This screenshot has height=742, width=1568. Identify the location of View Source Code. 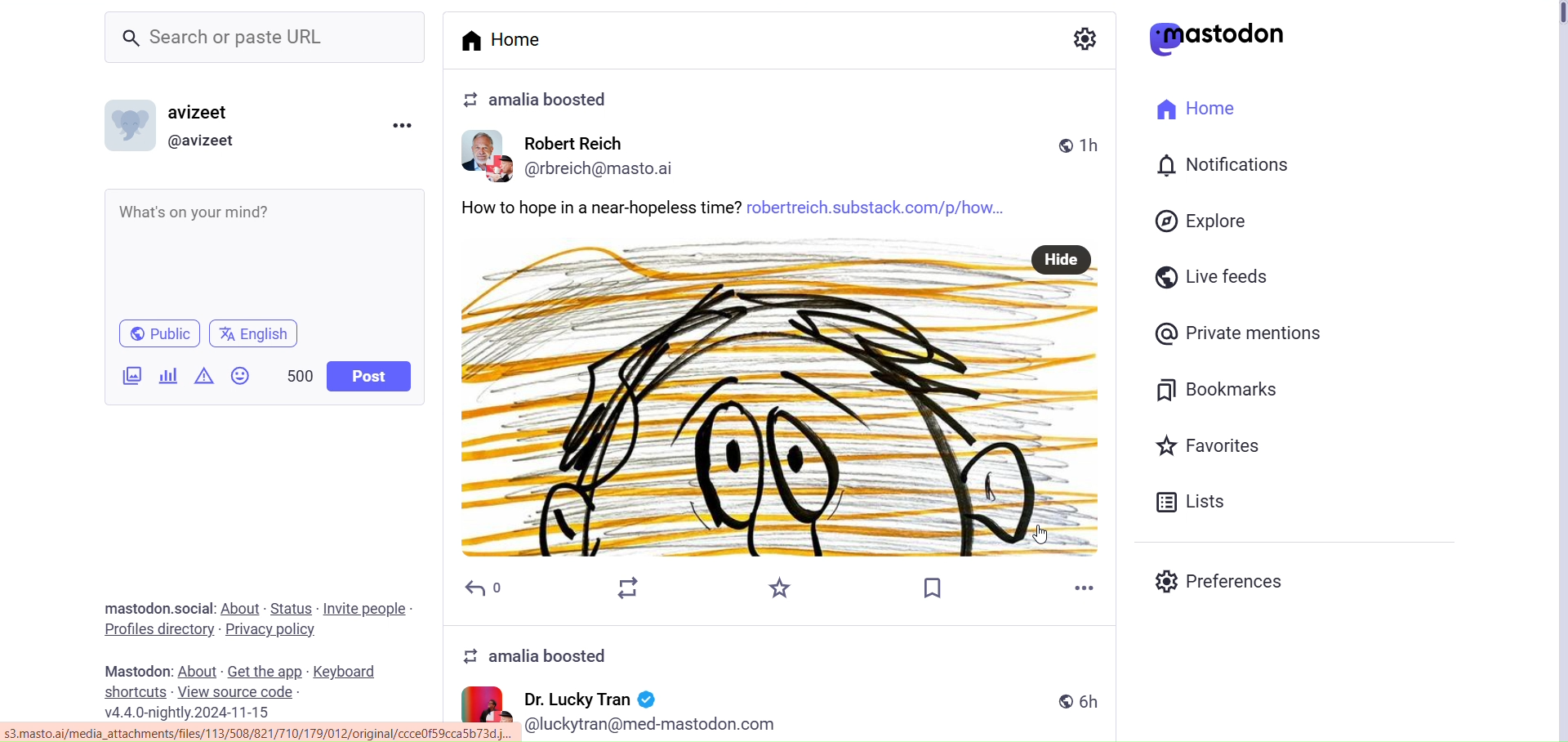
(237, 692).